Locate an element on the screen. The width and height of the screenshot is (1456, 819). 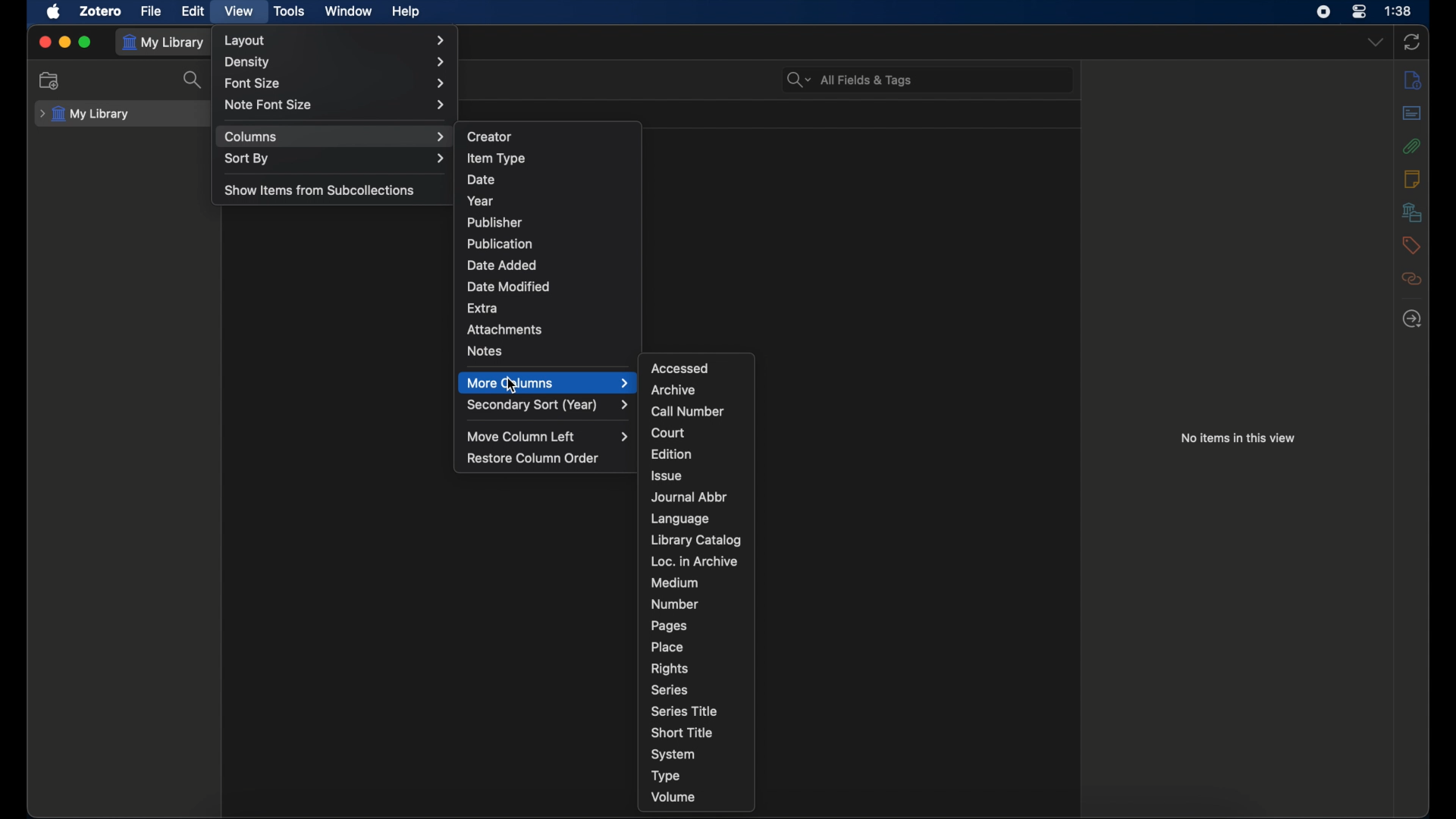
date is located at coordinates (482, 180).